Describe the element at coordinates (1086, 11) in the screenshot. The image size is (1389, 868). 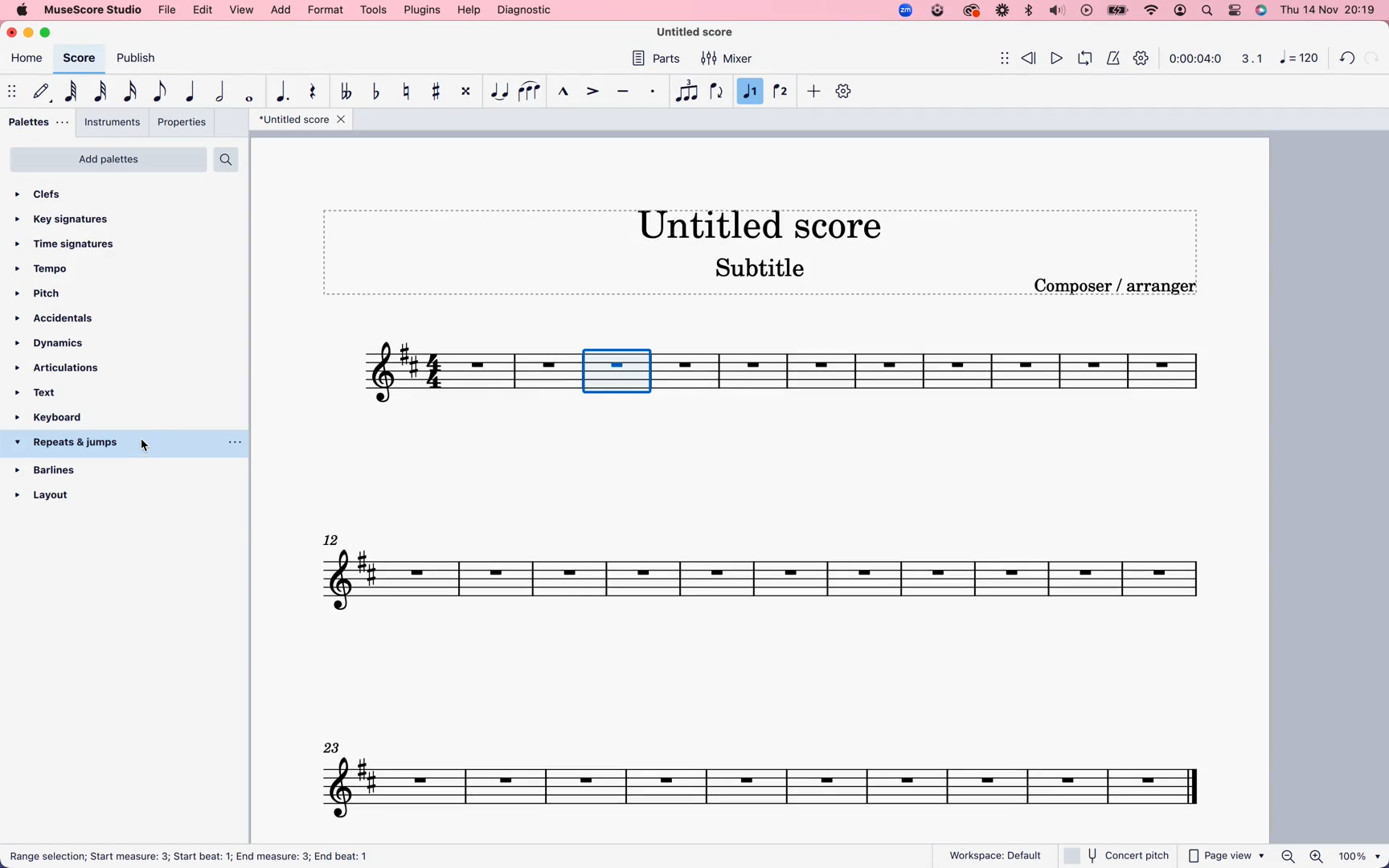
I see `play` at that location.